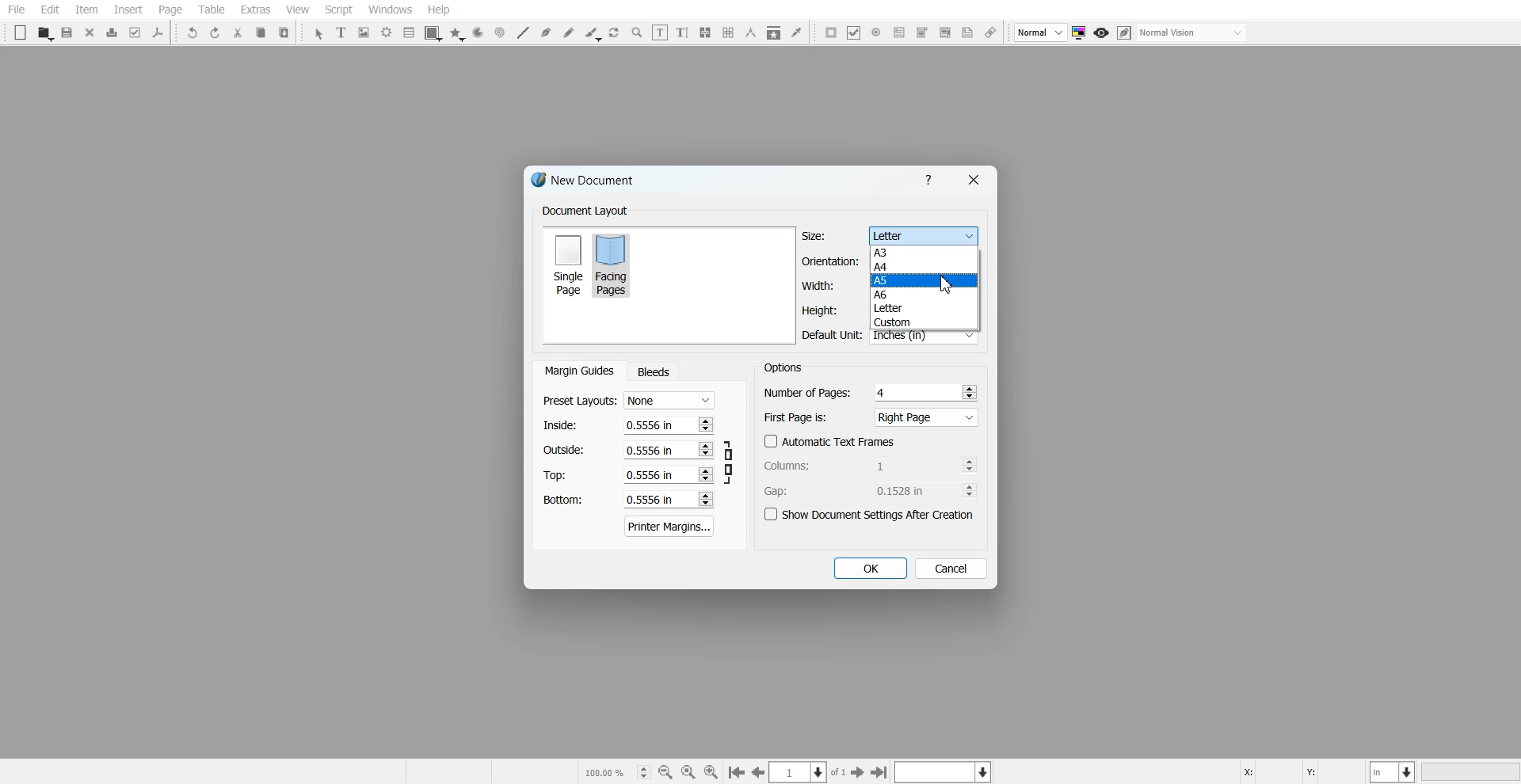 This screenshot has height=784, width=1521. What do you see at coordinates (688, 771) in the screenshot?
I see `Zoom to 100%` at bounding box center [688, 771].